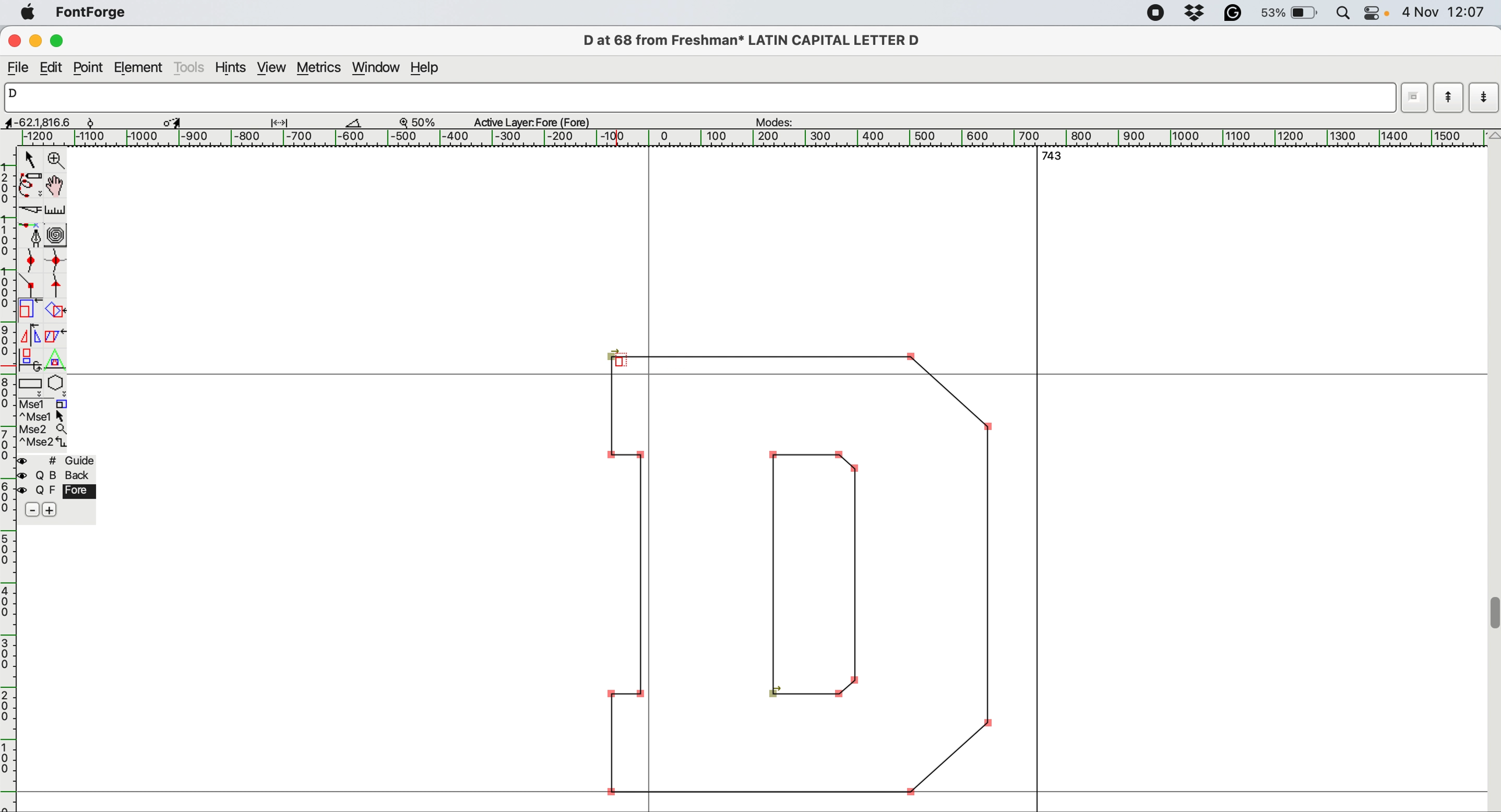 The image size is (1501, 812). I want to click on add a vantage point, so click(60, 287).